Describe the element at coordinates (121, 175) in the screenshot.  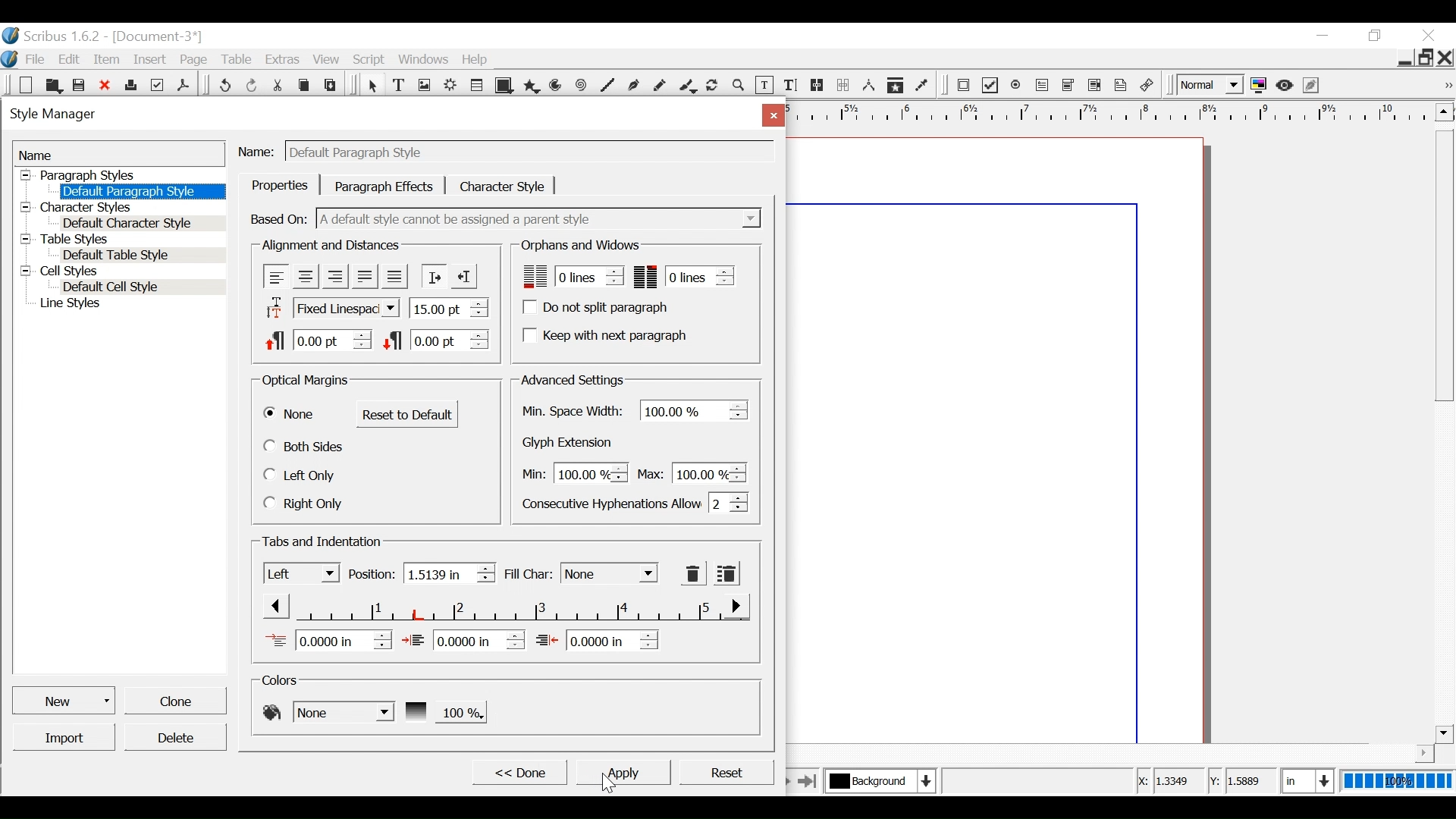
I see `Paragraph styles` at that location.